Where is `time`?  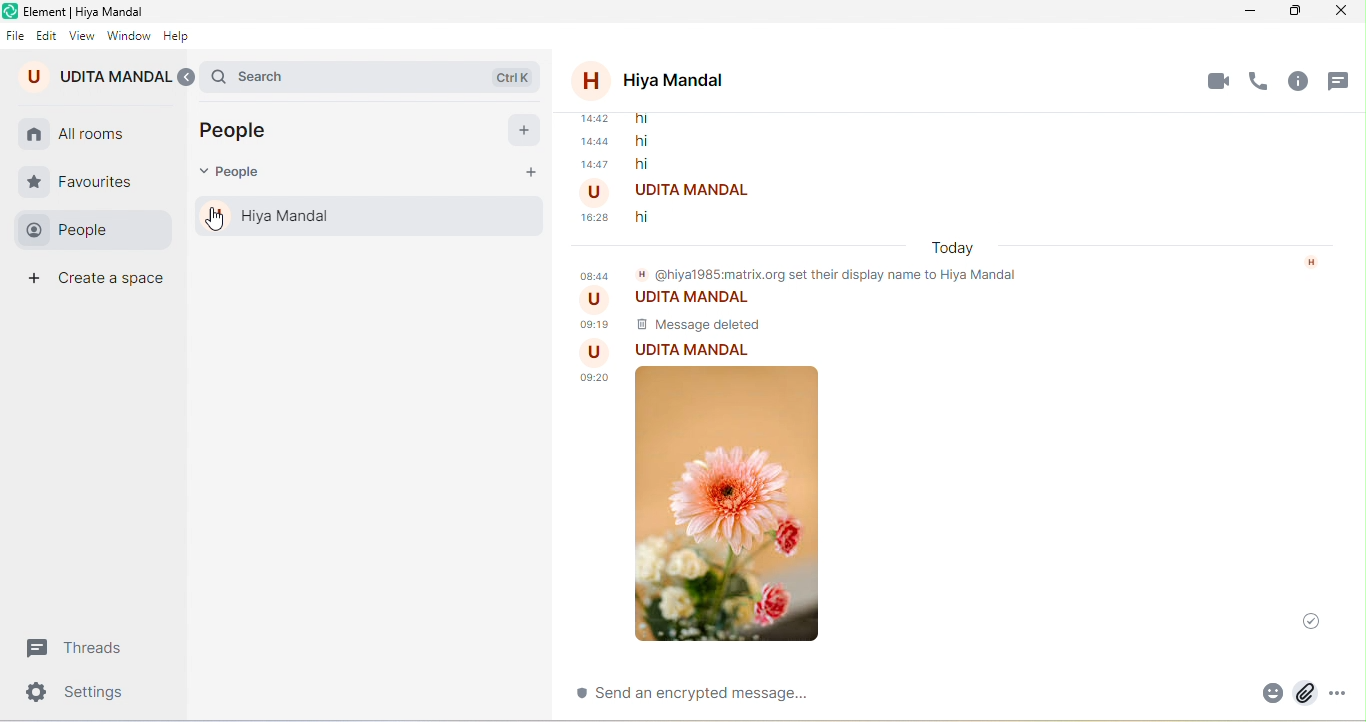
time is located at coordinates (596, 219).